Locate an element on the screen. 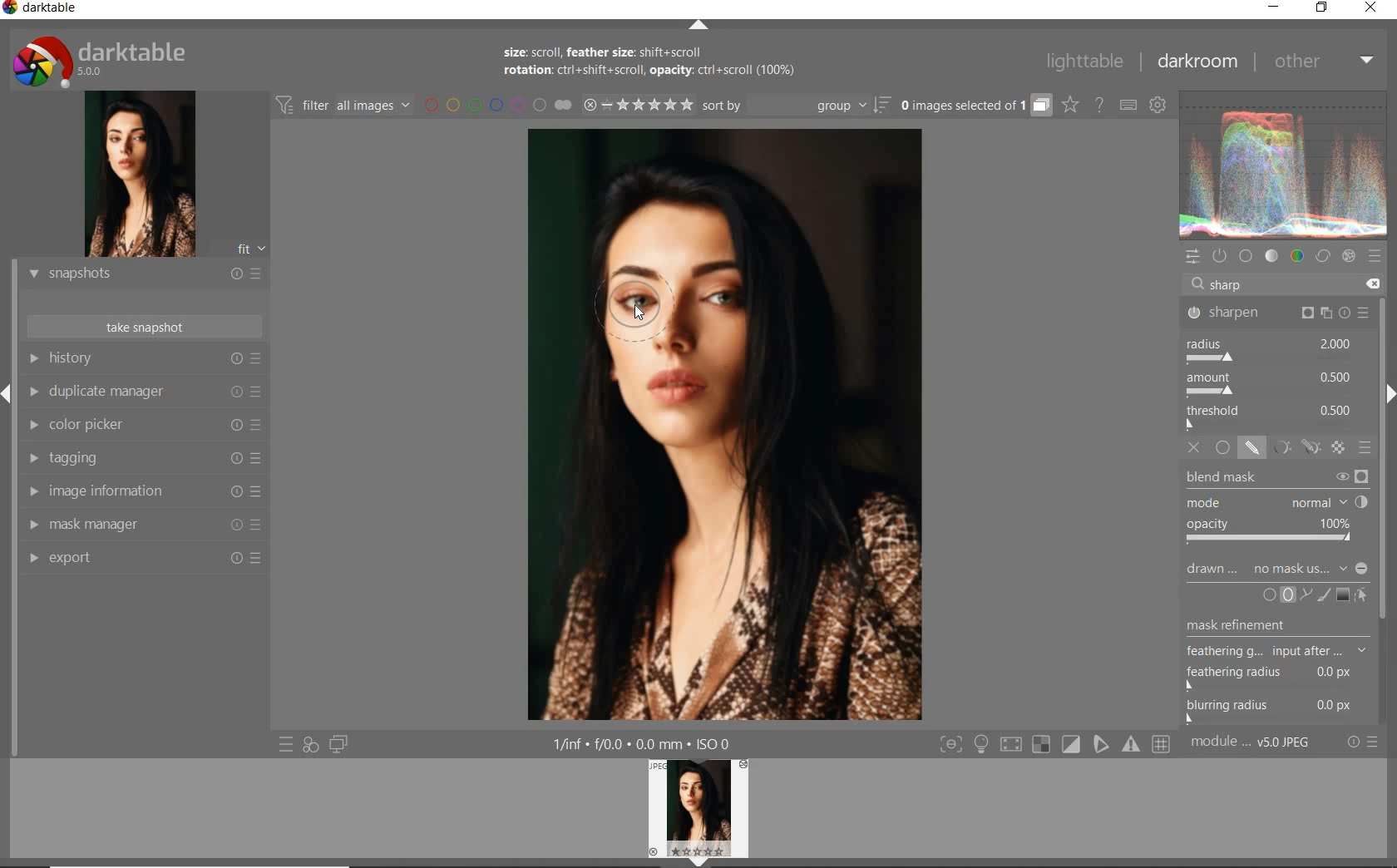 This screenshot has height=868, width=1397. Cursor is located at coordinates (634, 310).